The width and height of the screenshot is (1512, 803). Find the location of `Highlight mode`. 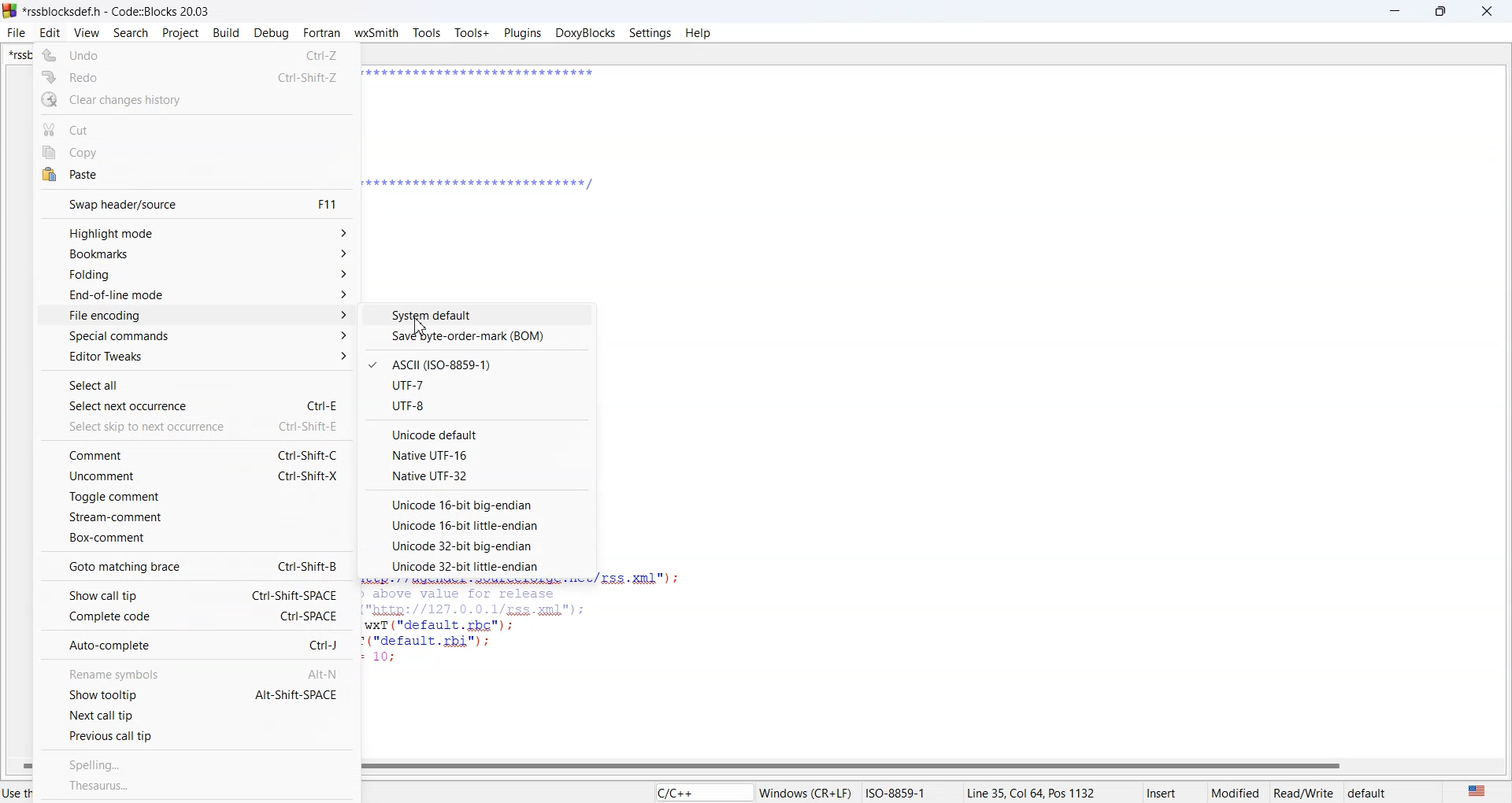

Highlight mode is located at coordinates (198, 232).